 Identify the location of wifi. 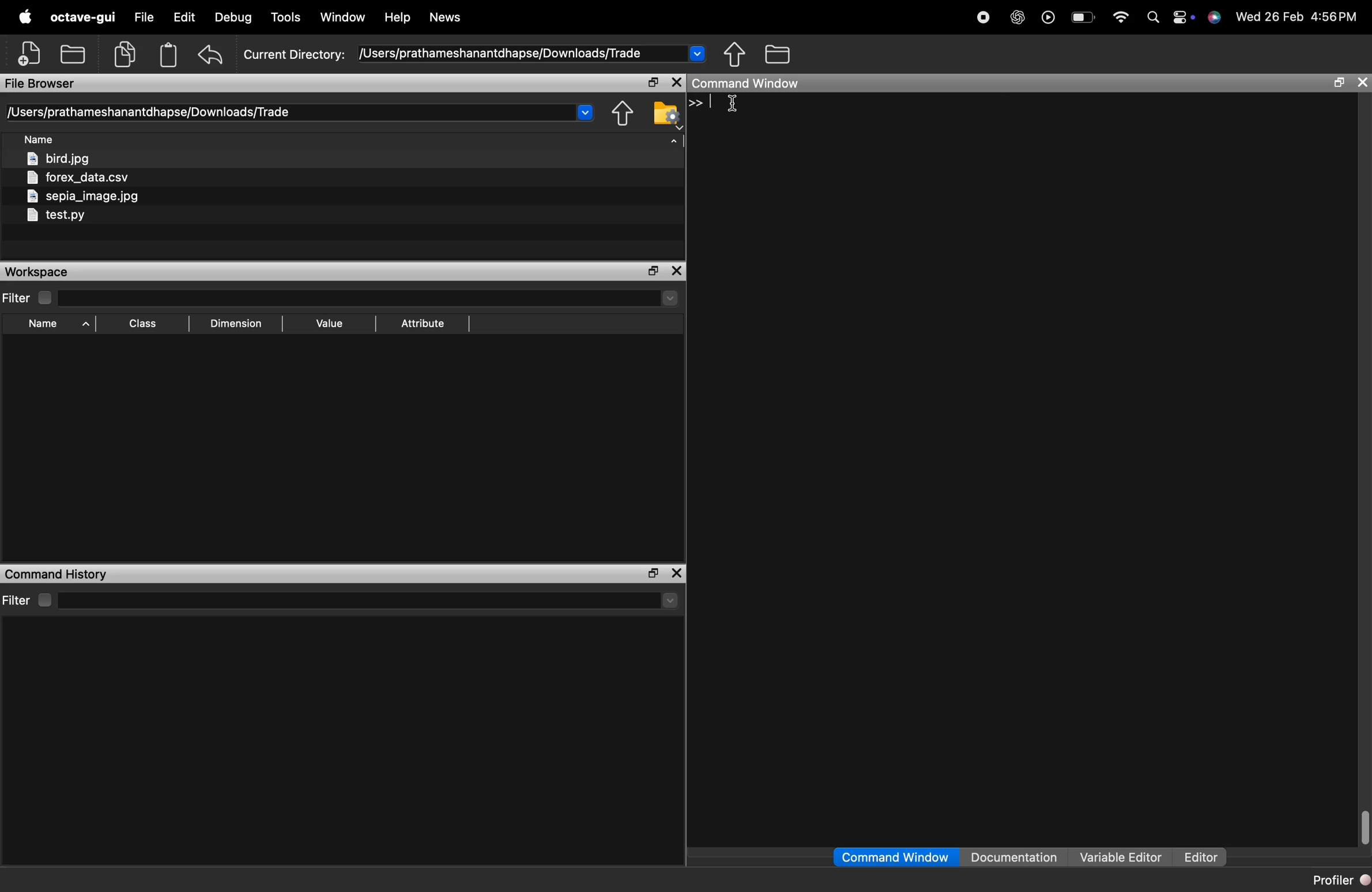
(1121, 18).